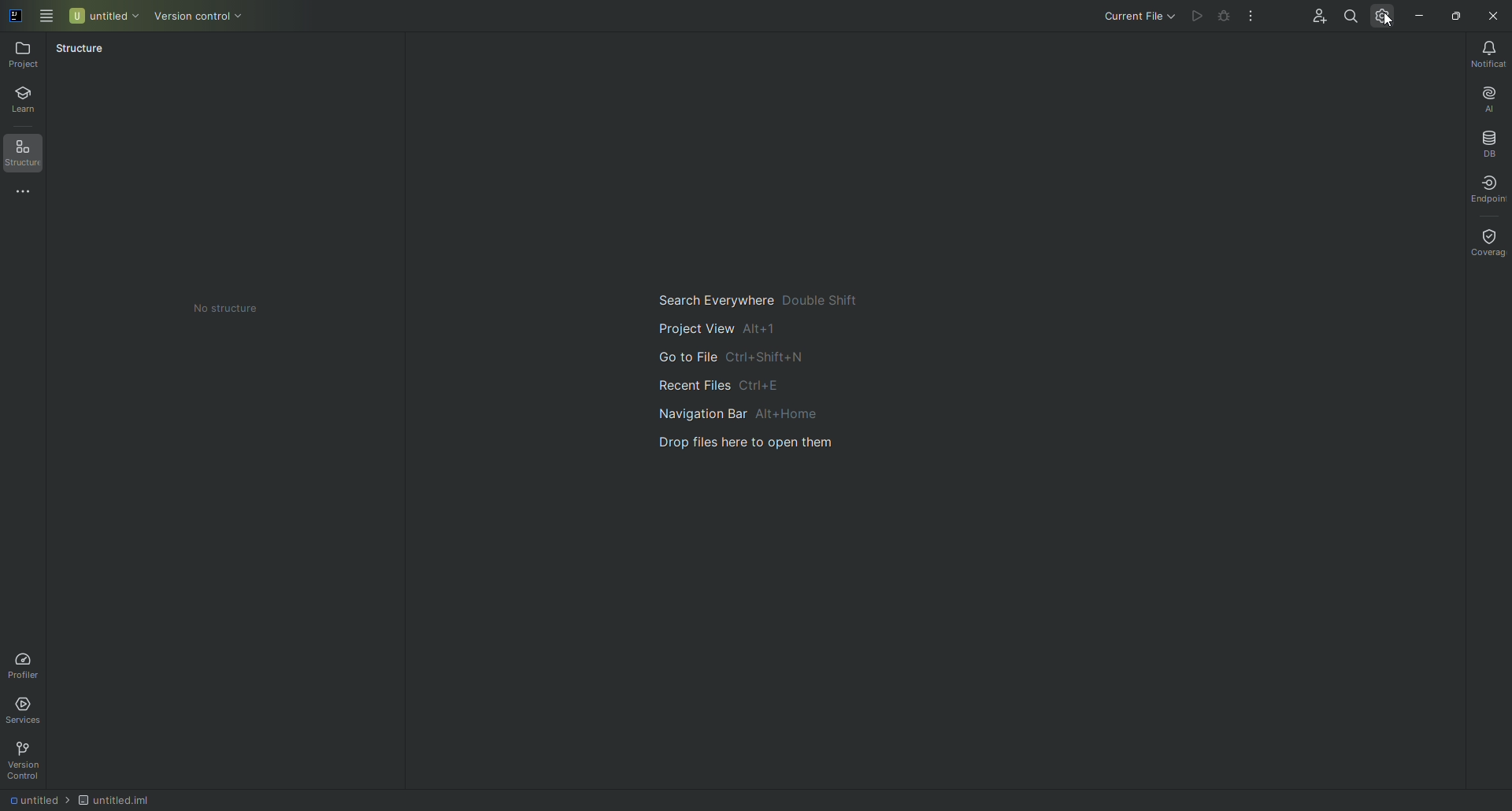 This screenshot has height=811, width=1512. Describe the element at coordinates (1488, 187) in the screenshot. I see `Endpoints` at that location.